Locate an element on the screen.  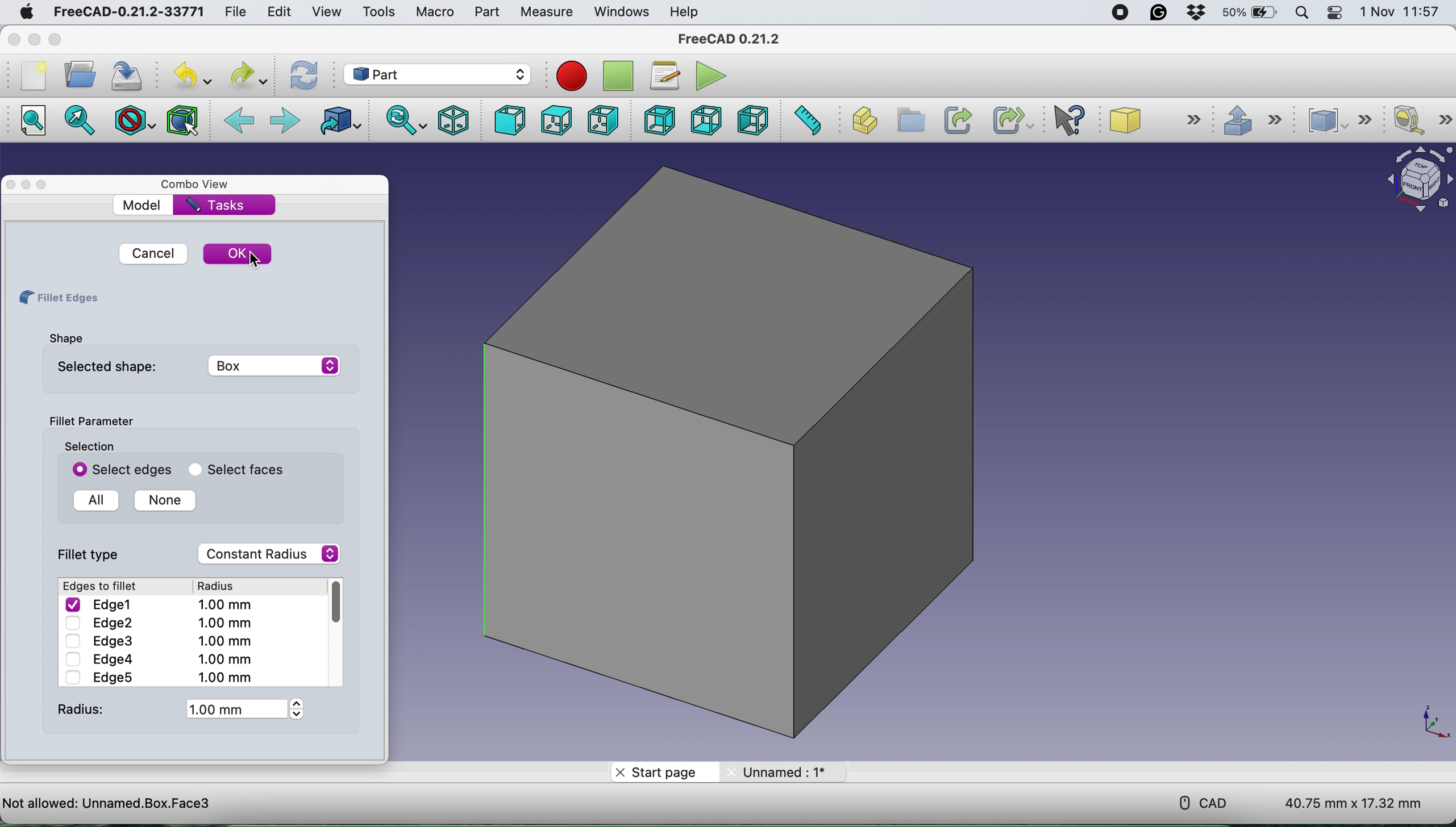
windows is located at coordinates (620, 11).